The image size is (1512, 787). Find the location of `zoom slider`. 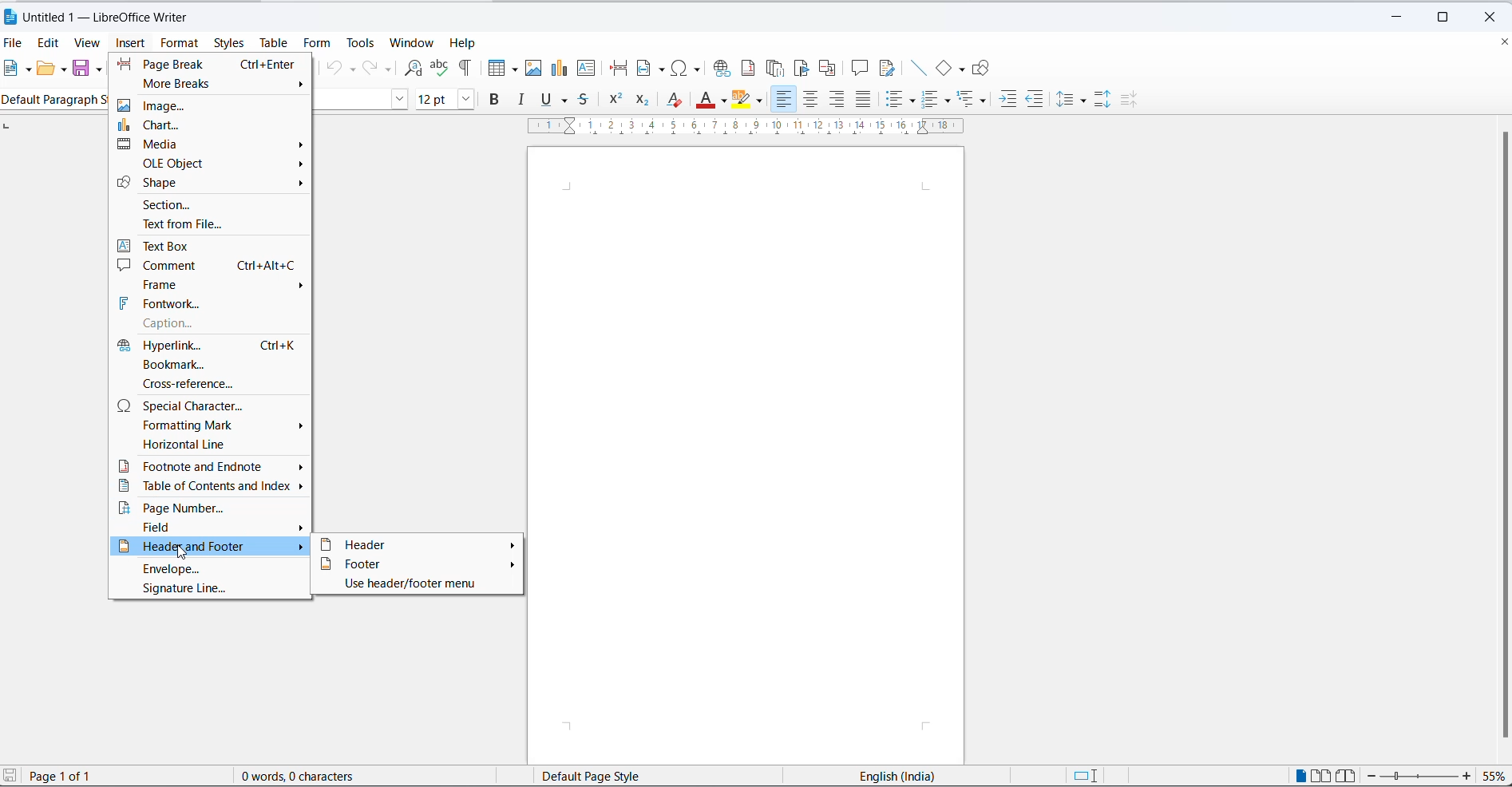

zoom slider is located at coordinates (1421, 777).